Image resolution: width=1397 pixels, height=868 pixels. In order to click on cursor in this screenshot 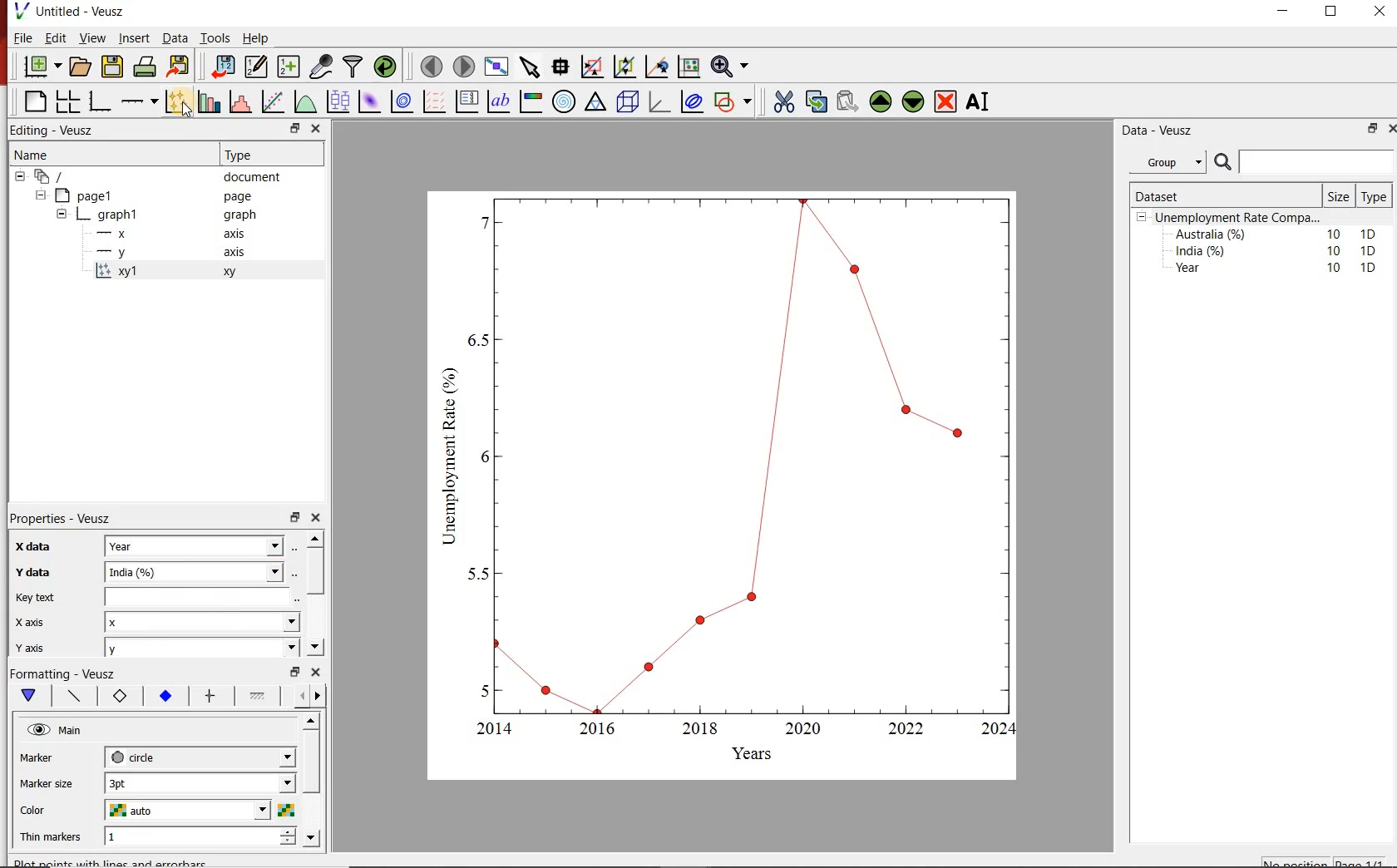, I will do `click(189, 111)`.